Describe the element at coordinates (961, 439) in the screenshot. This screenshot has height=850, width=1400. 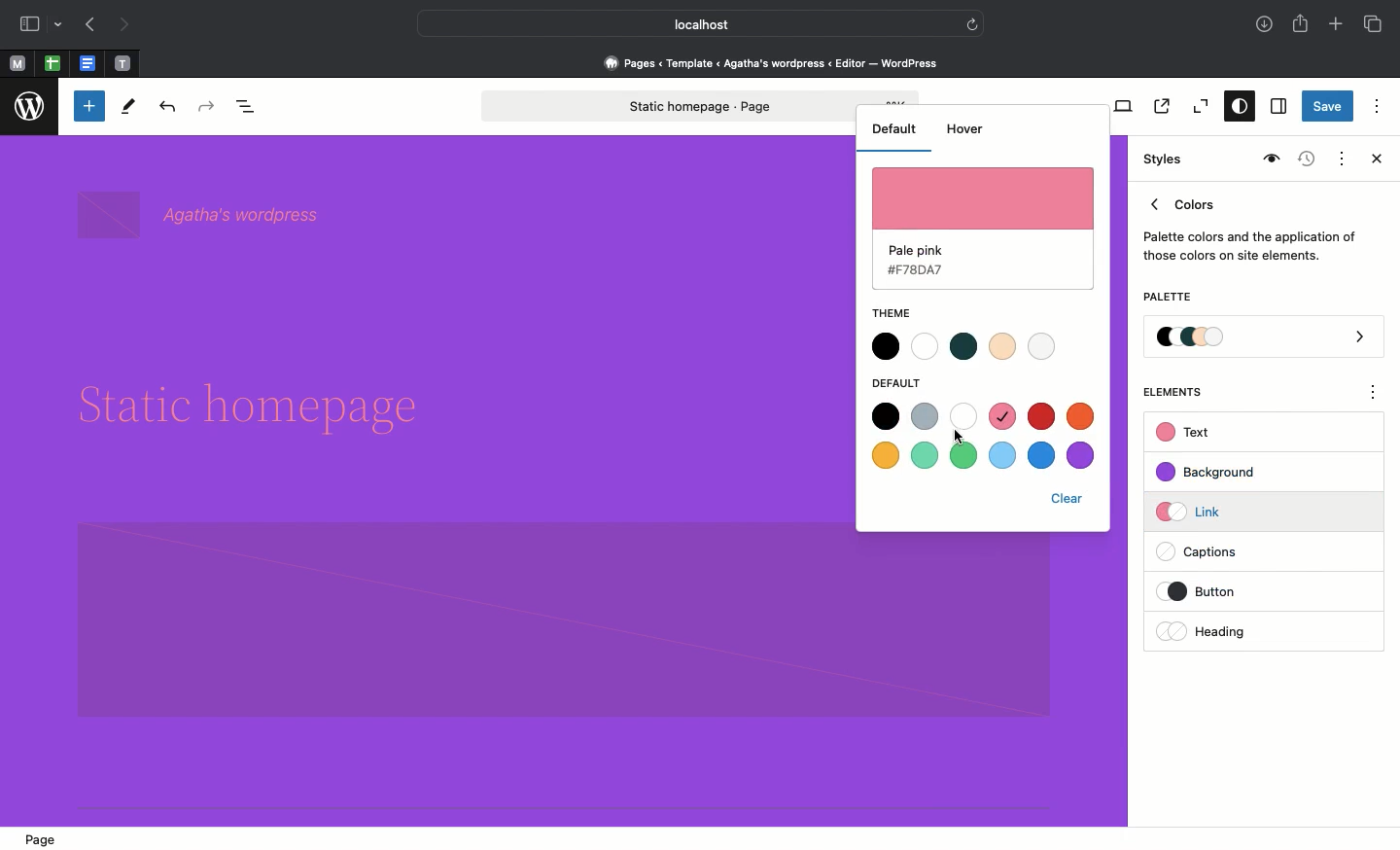
I see `cursor` at that location.